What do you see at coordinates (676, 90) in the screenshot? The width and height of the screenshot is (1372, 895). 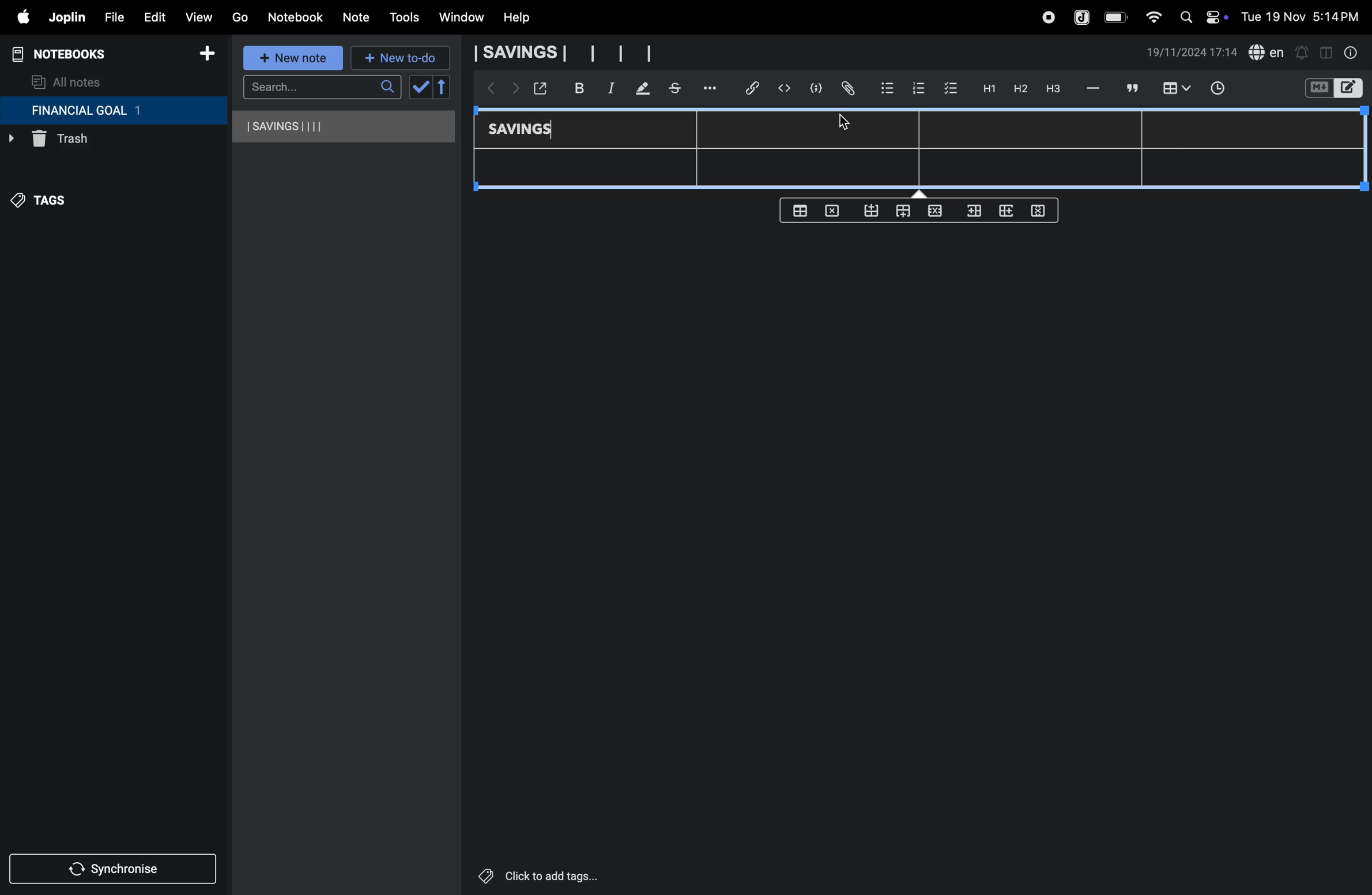 I see `stketchbook` at bounding box center [676, 90].